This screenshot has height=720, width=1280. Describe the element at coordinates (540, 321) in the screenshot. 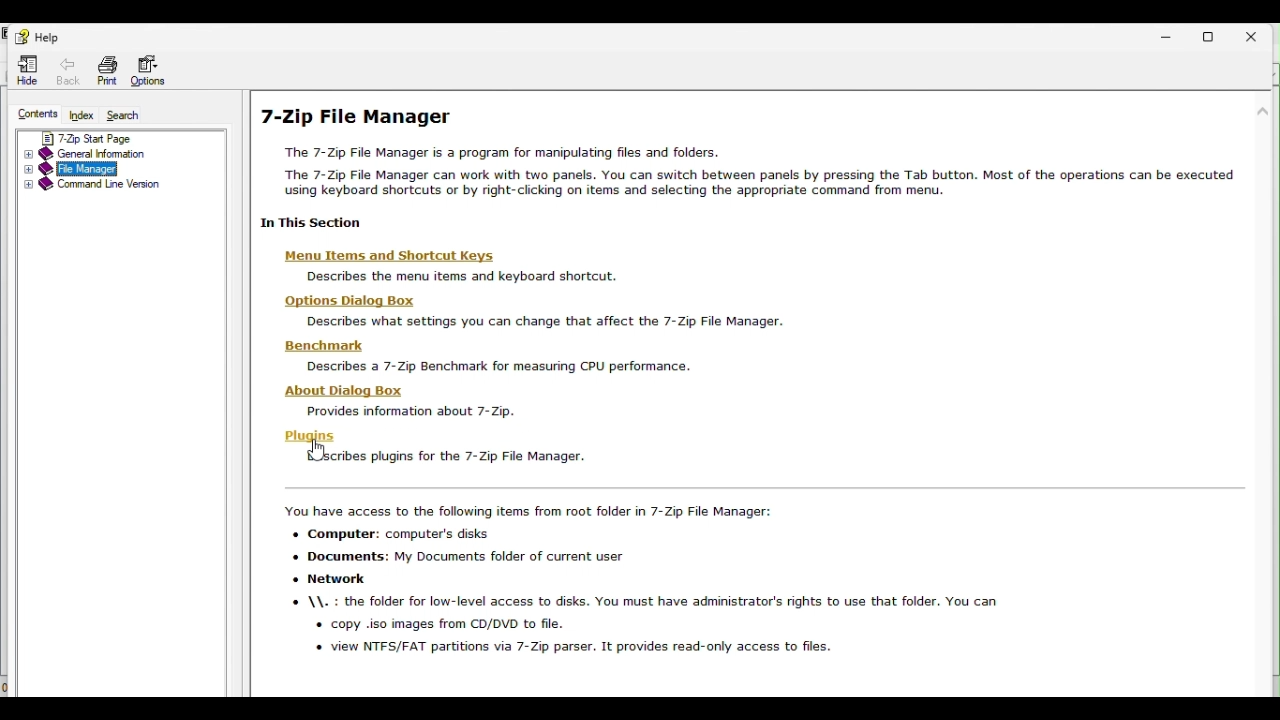

I see `text` at that location.